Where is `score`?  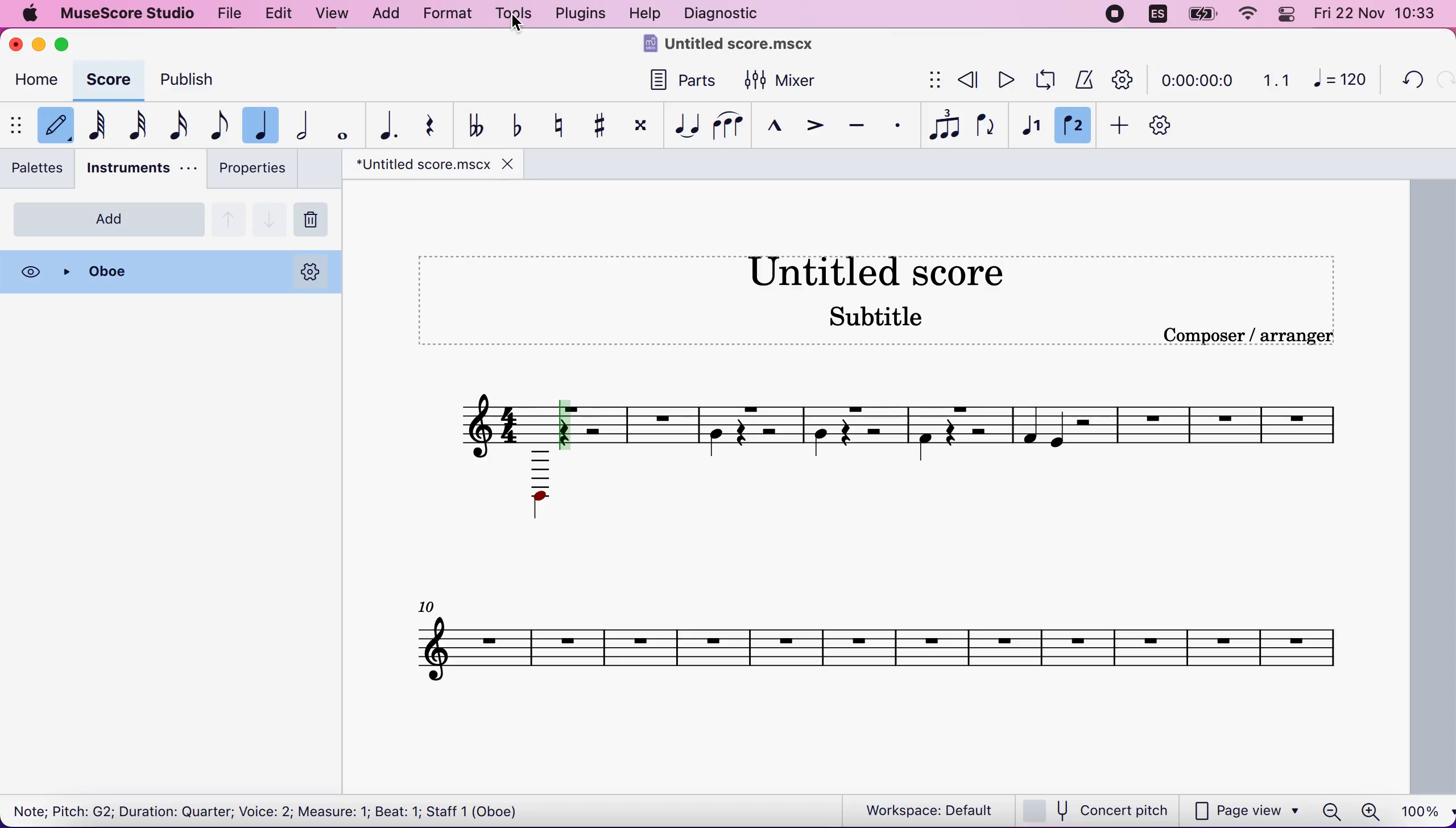 score is located at coordinates (106, 77).